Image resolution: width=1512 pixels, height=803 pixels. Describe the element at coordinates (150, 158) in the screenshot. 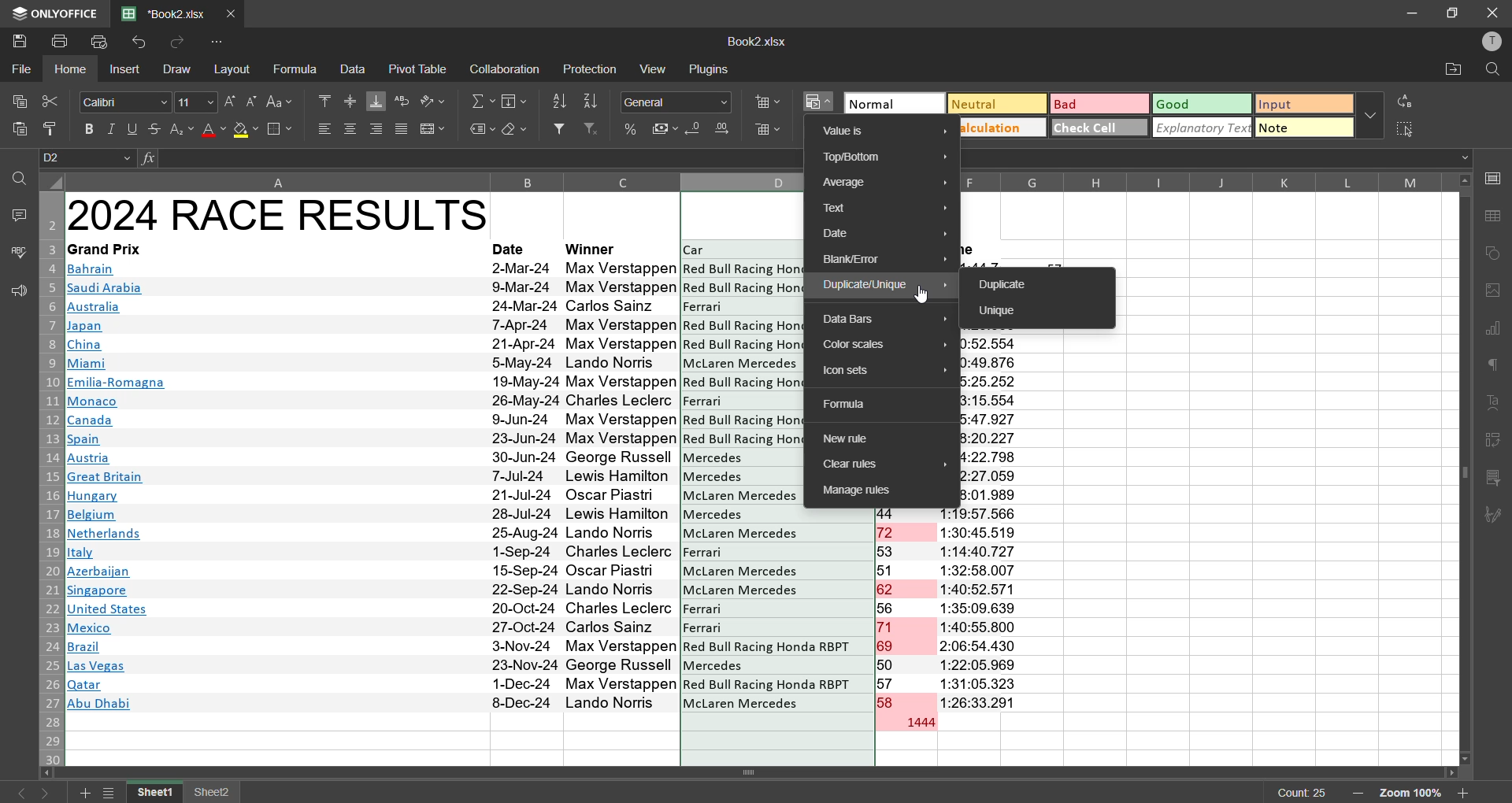

I see `fx` at that location.